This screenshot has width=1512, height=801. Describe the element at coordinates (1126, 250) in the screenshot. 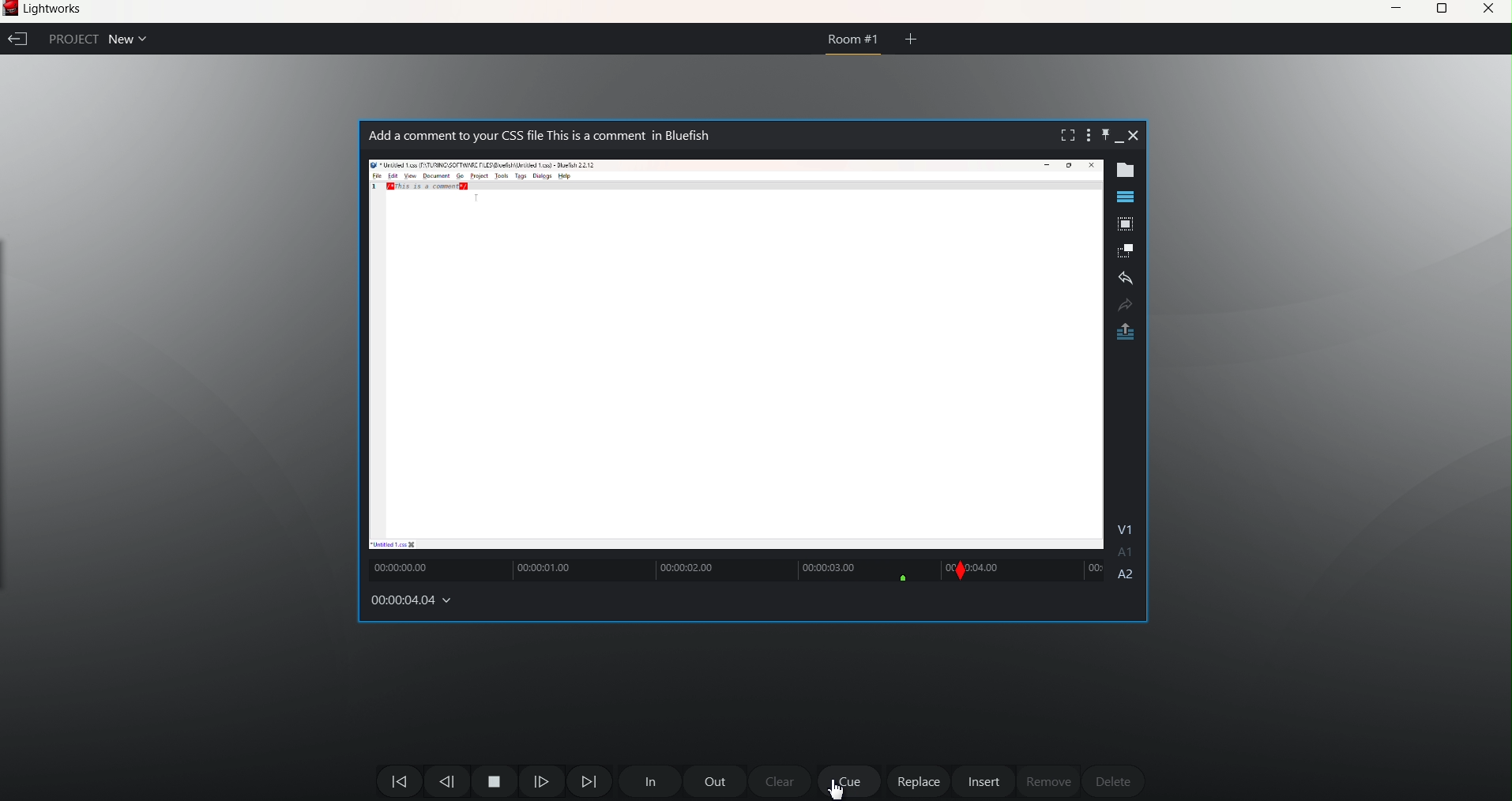

I see `make subclip` at that location.